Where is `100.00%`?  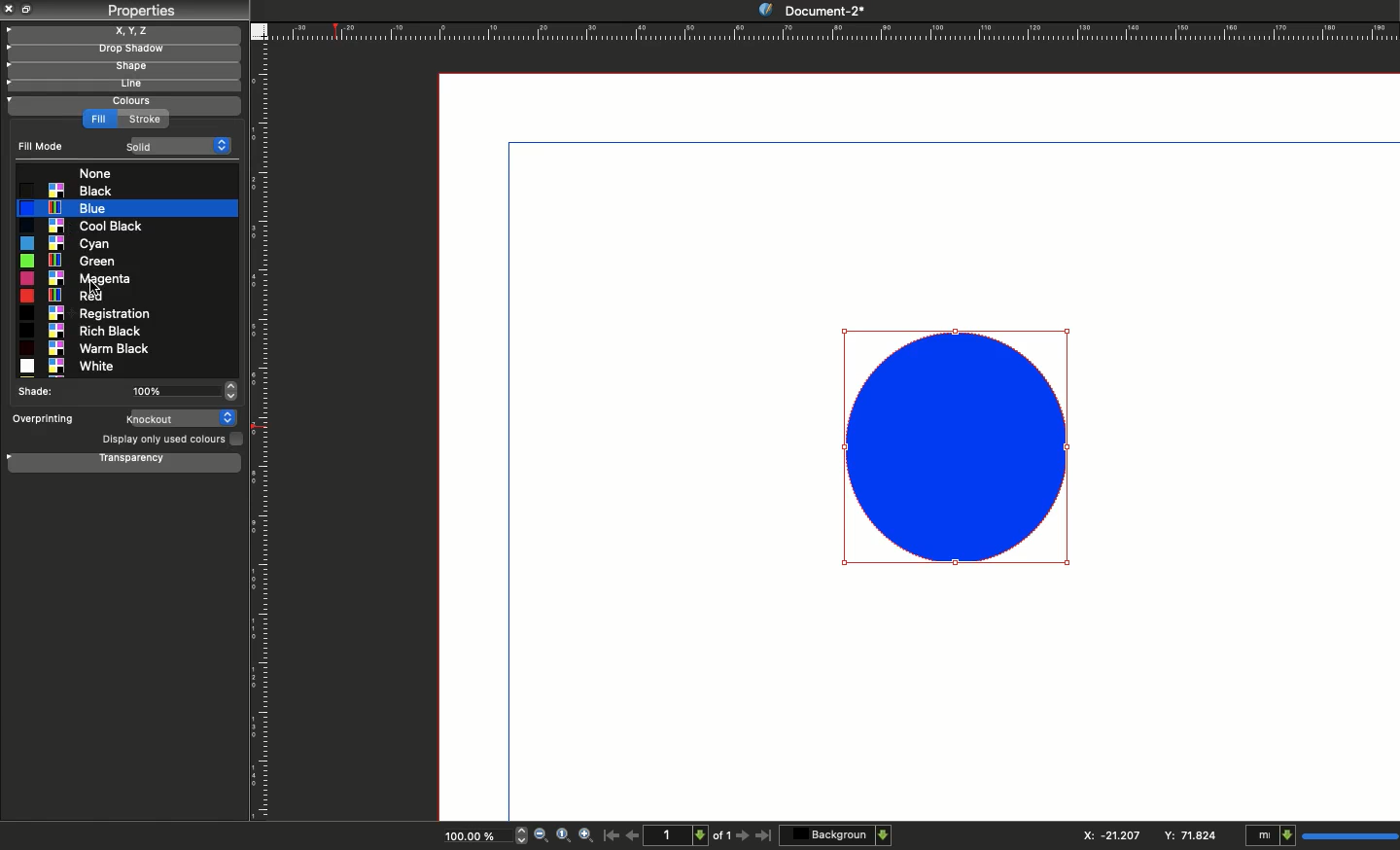 100.00% is located at coordinates (468, 838).